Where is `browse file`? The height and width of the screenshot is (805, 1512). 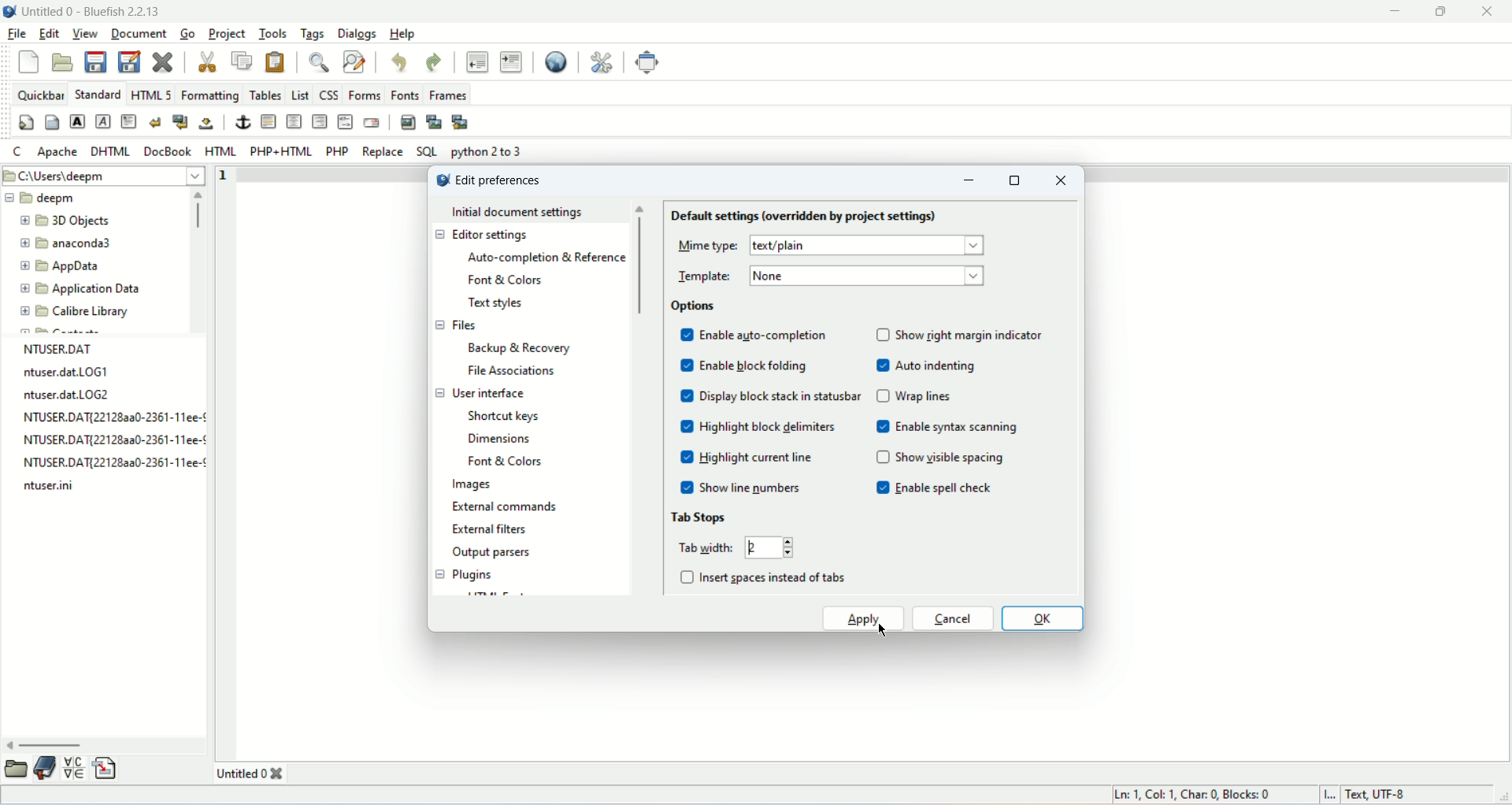
browse file is located at coordinates (15, 770).